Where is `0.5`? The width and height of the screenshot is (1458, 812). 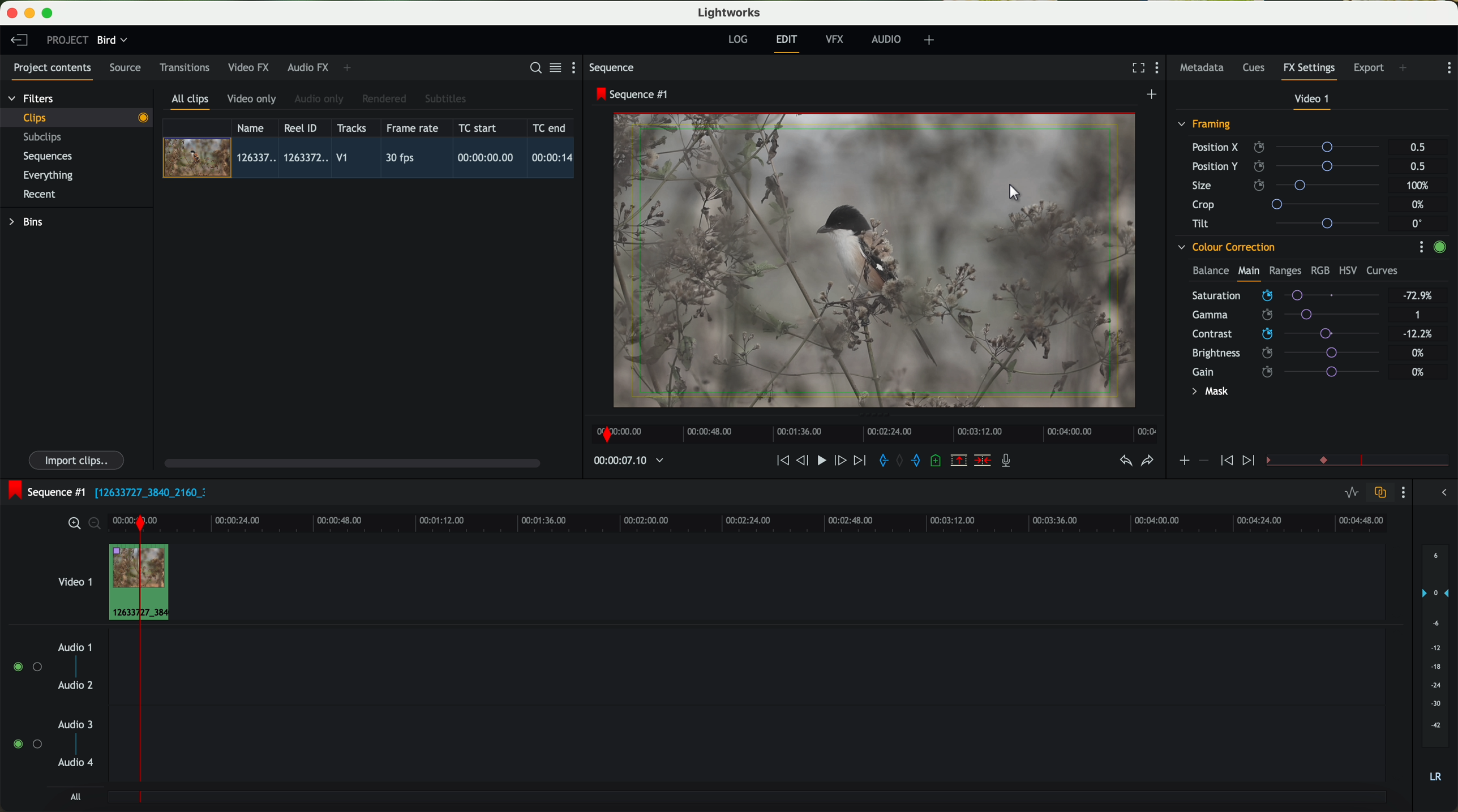
0.5 is located at coordinates (1417, 166).